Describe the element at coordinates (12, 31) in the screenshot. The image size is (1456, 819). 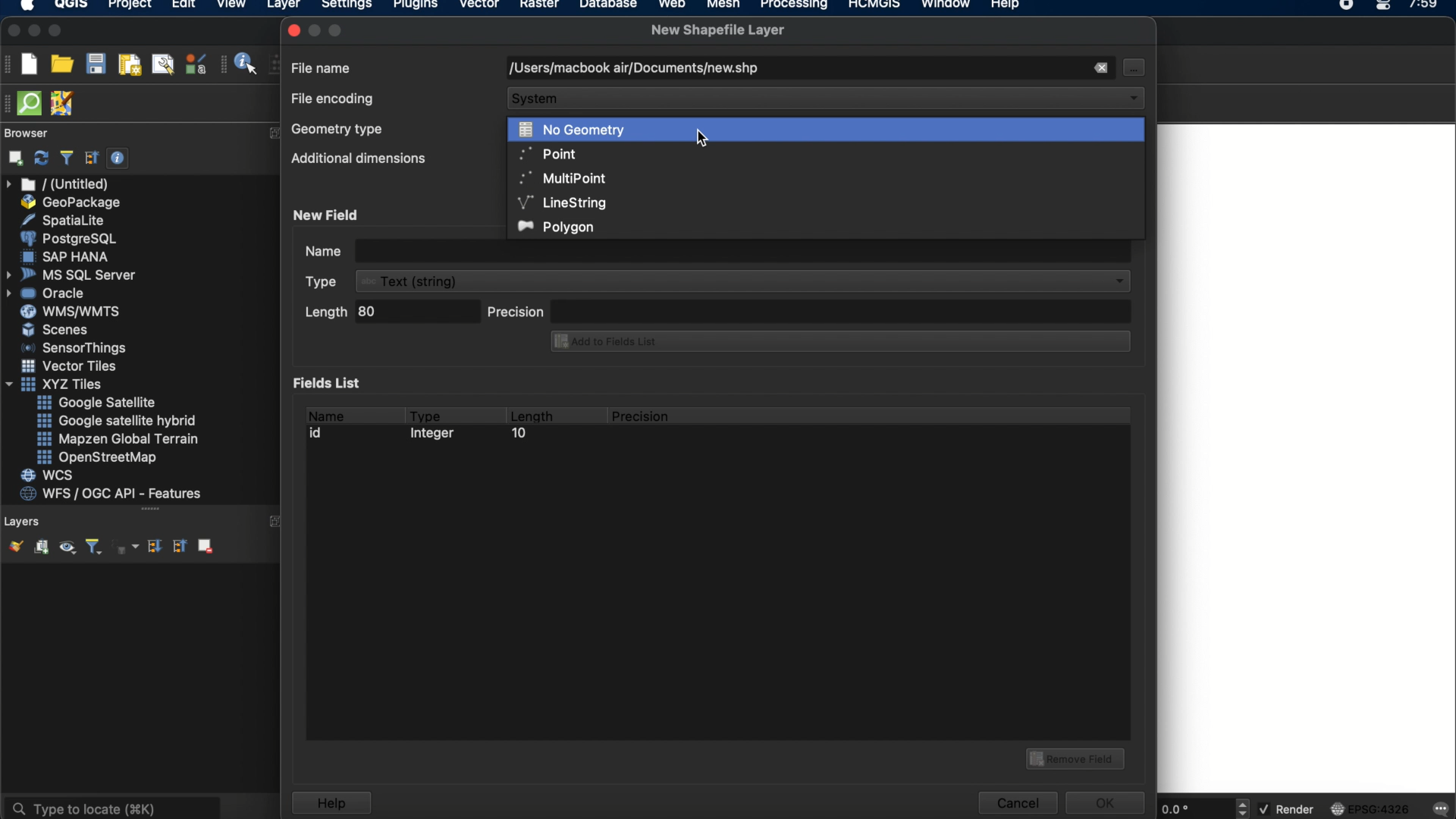
I see `close` at that location.